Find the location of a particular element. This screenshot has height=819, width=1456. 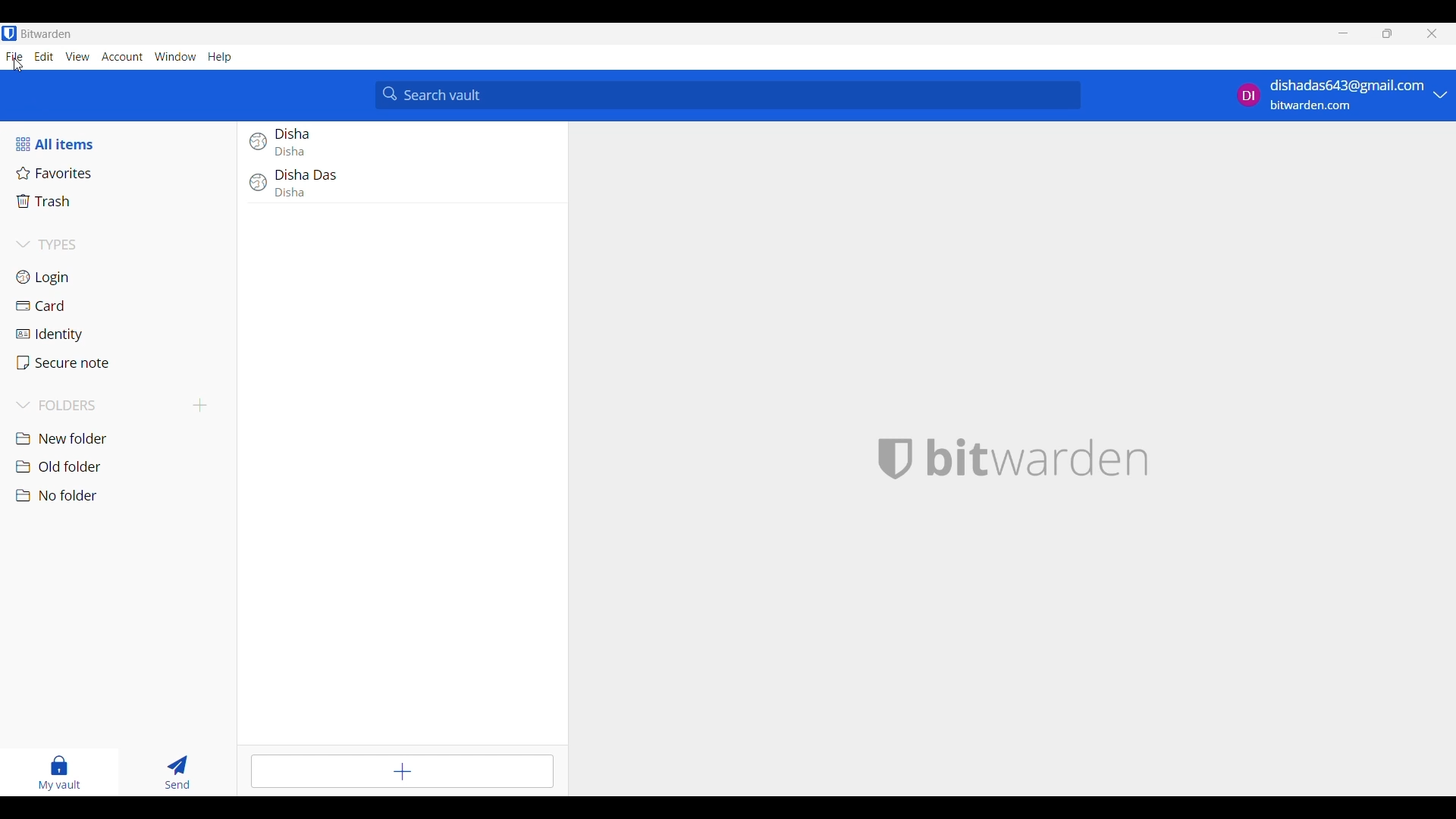

Identity is located at coordinates (121, 335).